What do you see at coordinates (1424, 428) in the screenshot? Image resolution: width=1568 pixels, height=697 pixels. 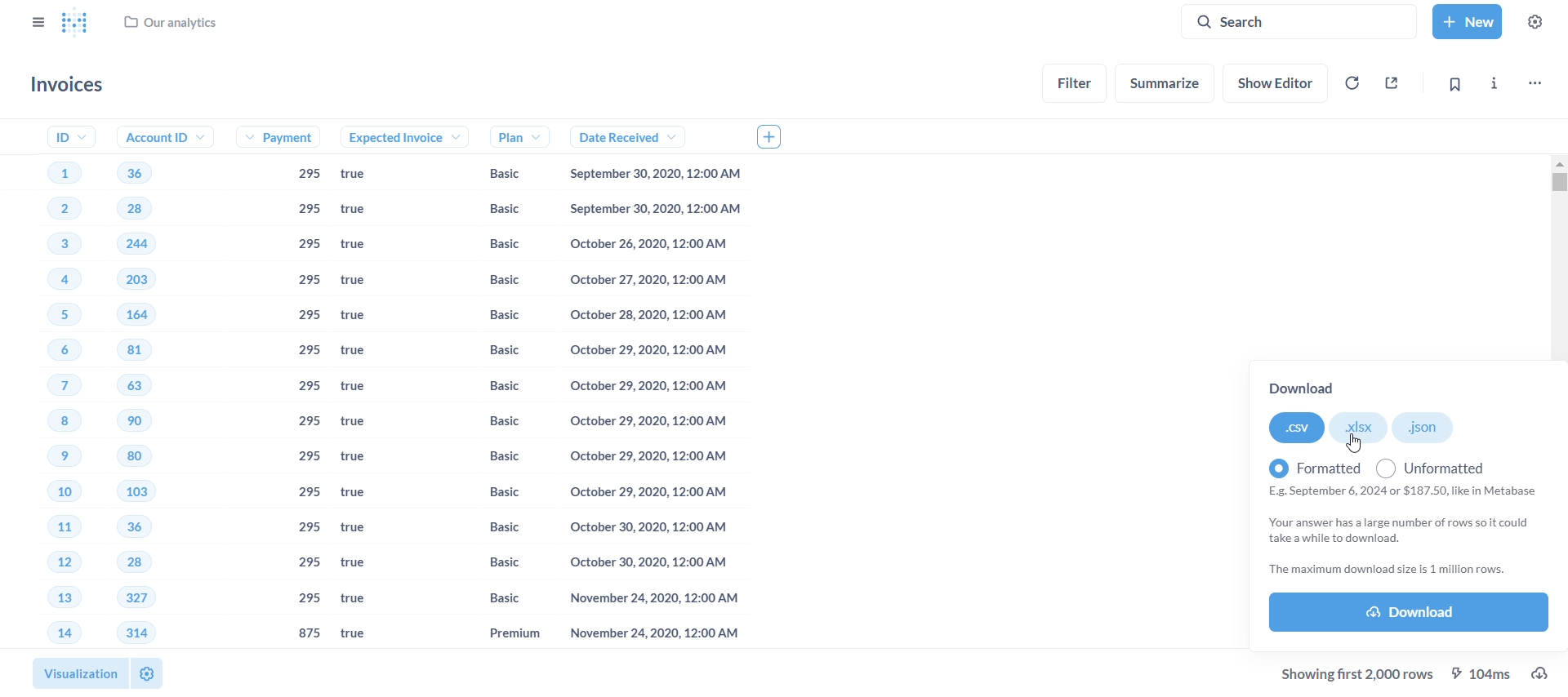 I see `.json` at bounding box center [1424, 428].